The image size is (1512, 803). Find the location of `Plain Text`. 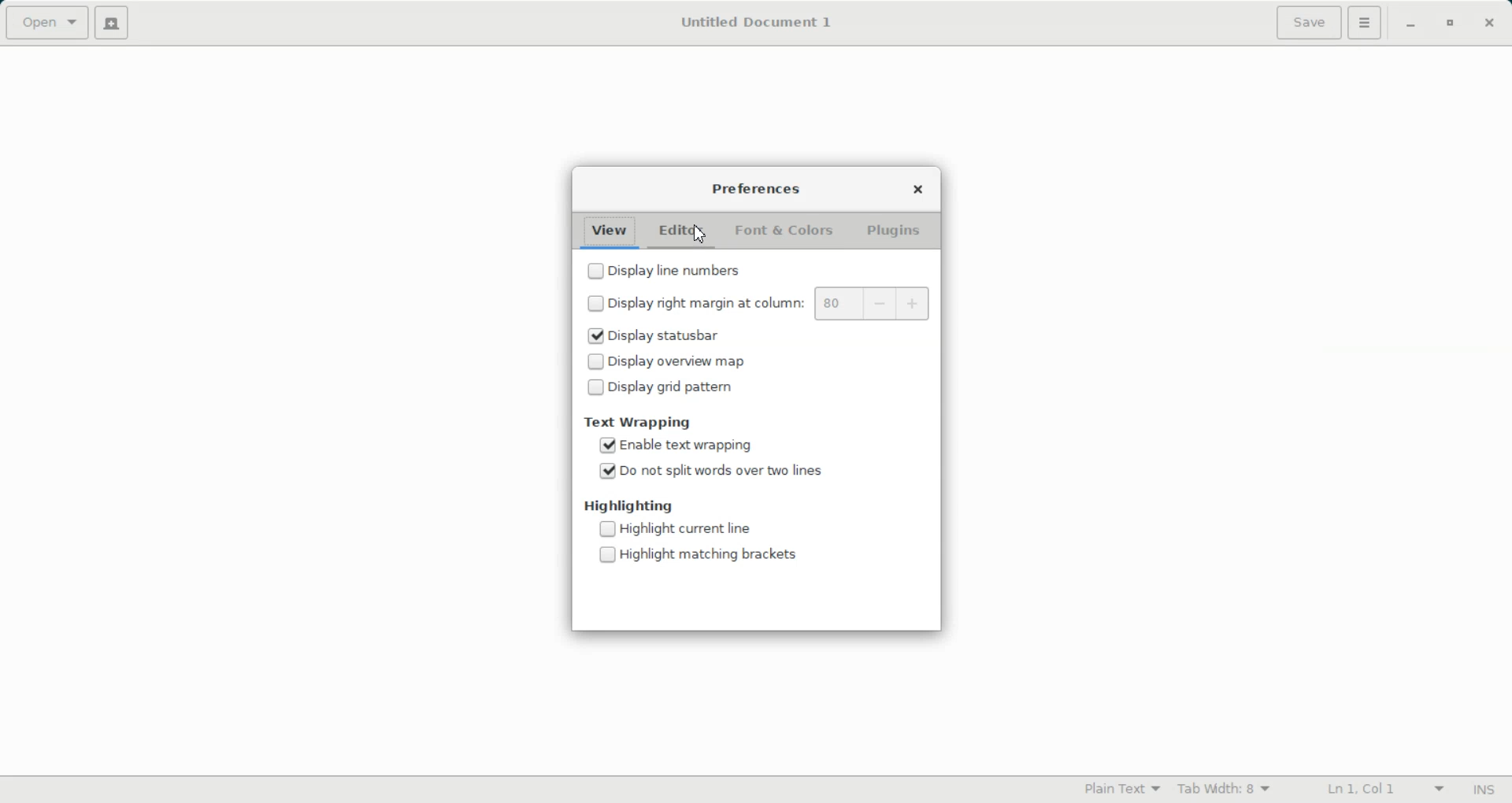

Plain Text is located at coordinates (1121, 788).